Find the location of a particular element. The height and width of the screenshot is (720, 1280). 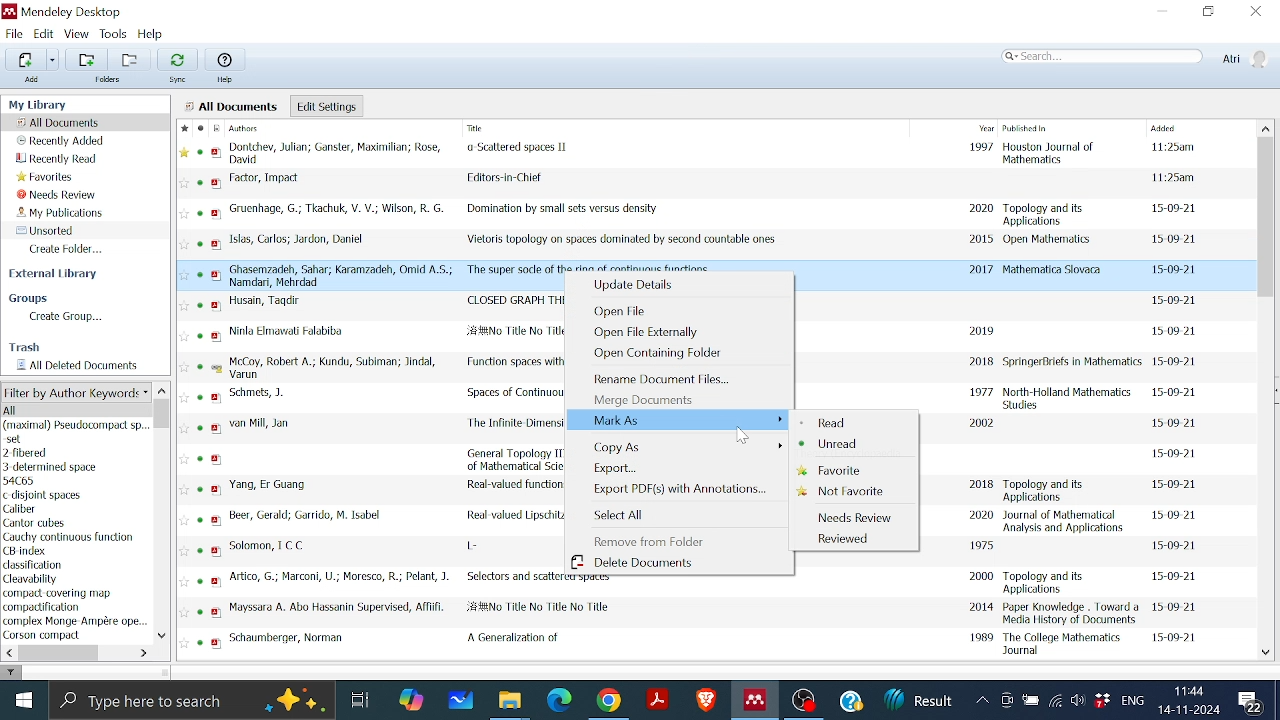

document is located at coordinates (1073, 333).